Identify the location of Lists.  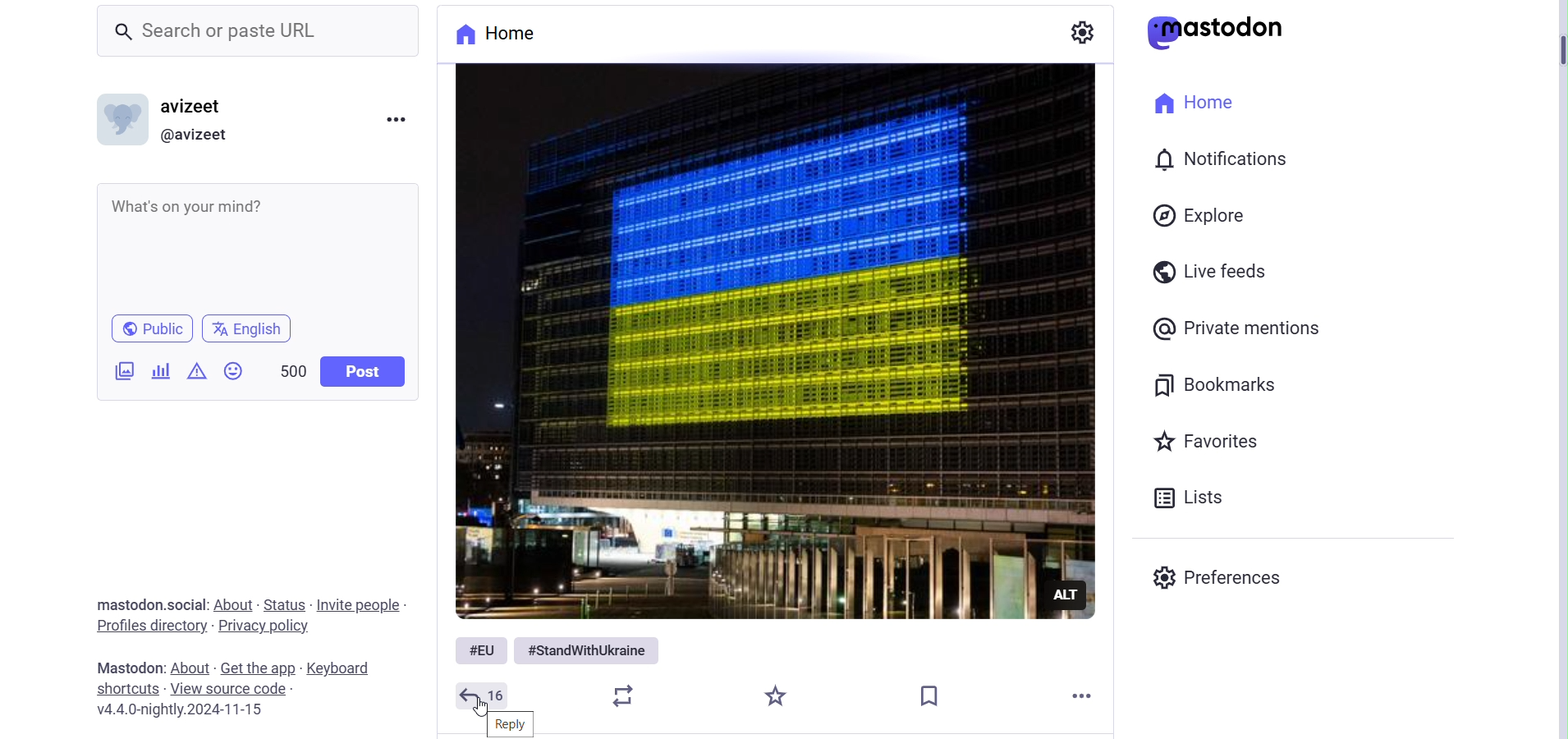
(1194, 498).